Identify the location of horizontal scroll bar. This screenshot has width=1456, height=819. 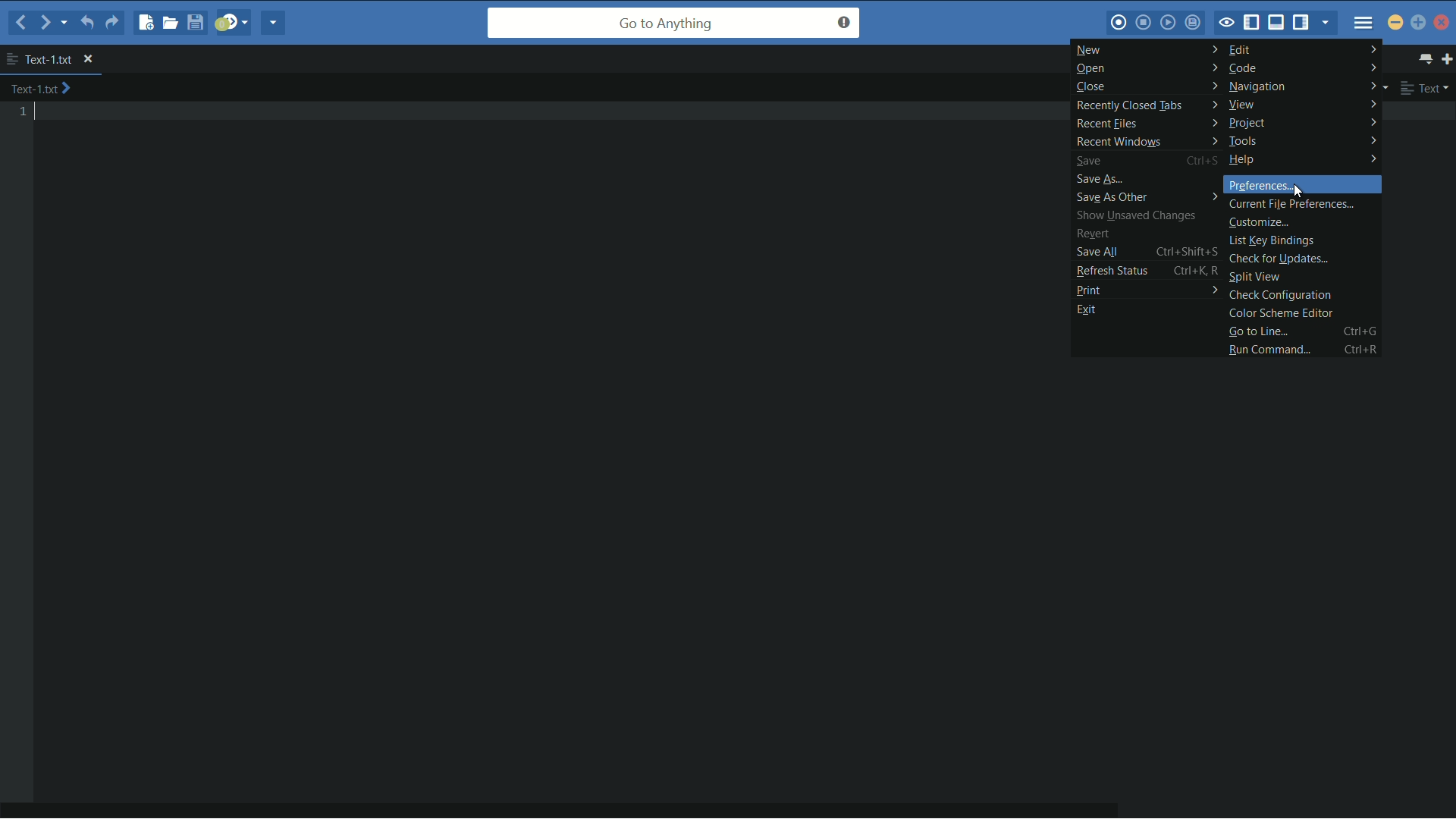
(576, 810).